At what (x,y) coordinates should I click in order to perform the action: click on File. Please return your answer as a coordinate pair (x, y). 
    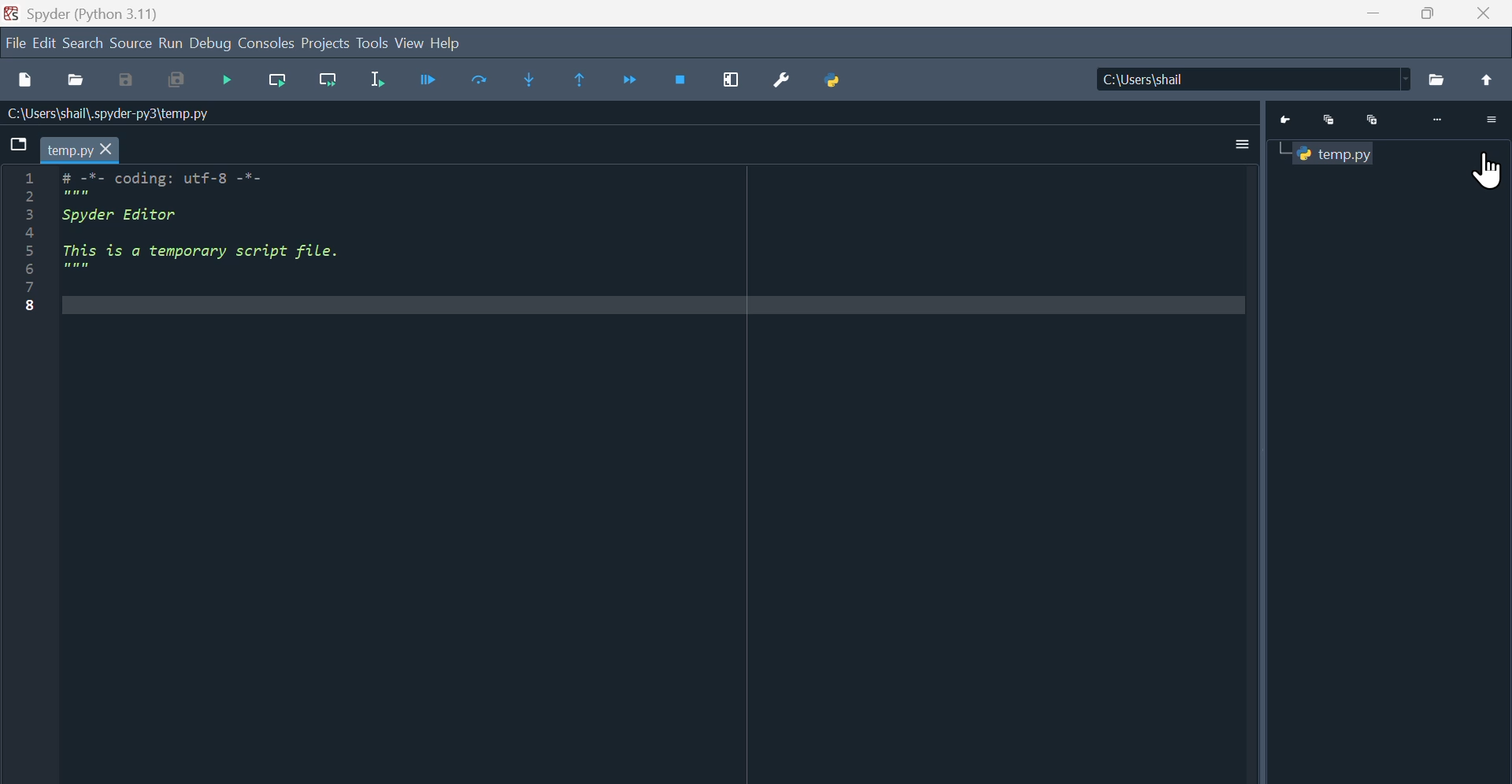
    Looking at the image, I should click on (15, 43).